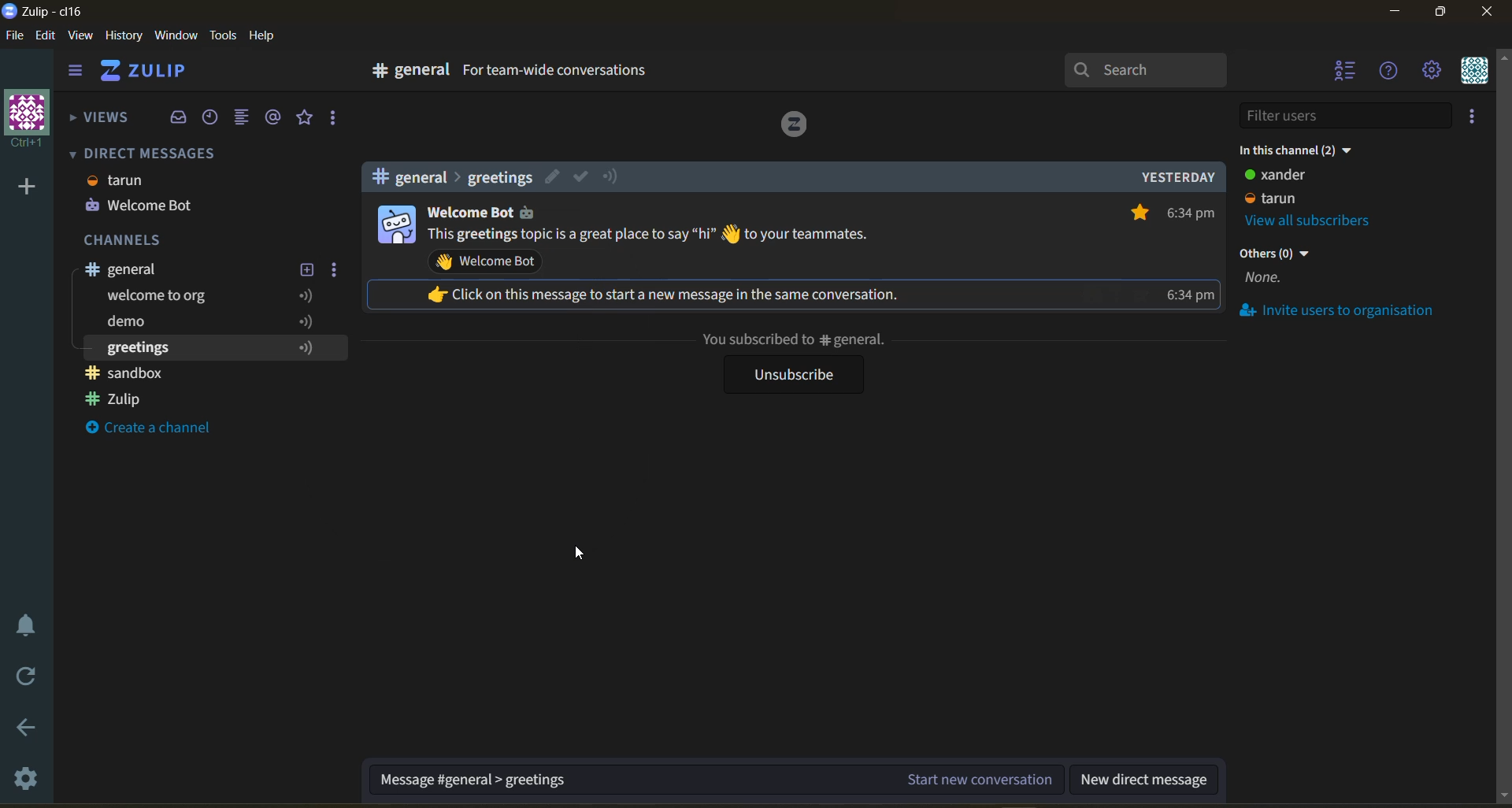 This screenshot has height=808, width=1512. Describe the element at coordinates (1293, 187) in the screenshot. I see `user status` at that location.